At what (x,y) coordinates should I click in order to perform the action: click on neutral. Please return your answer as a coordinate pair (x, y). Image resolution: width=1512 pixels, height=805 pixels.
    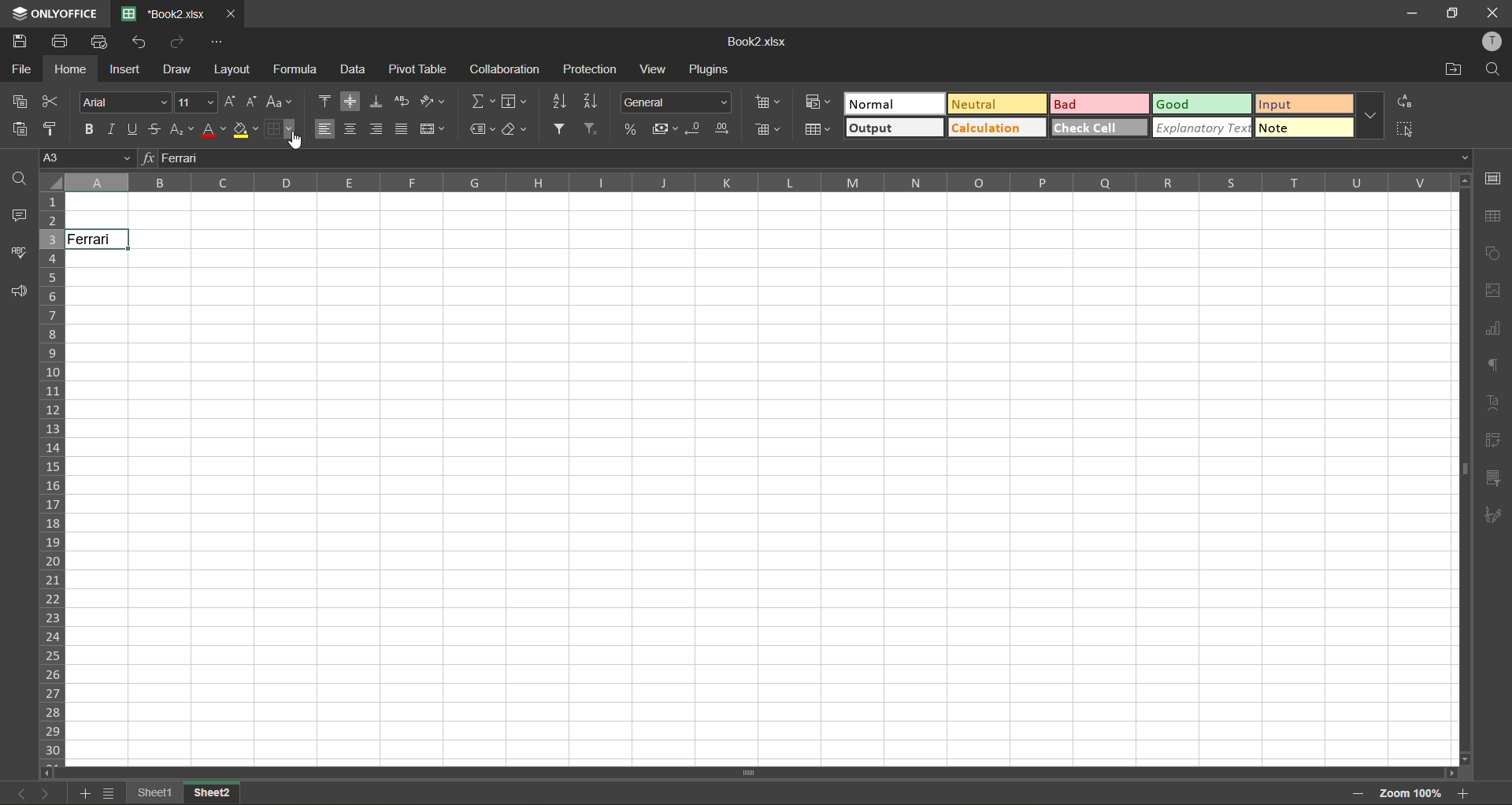
    Looking at the image, I should click on (994, 104).